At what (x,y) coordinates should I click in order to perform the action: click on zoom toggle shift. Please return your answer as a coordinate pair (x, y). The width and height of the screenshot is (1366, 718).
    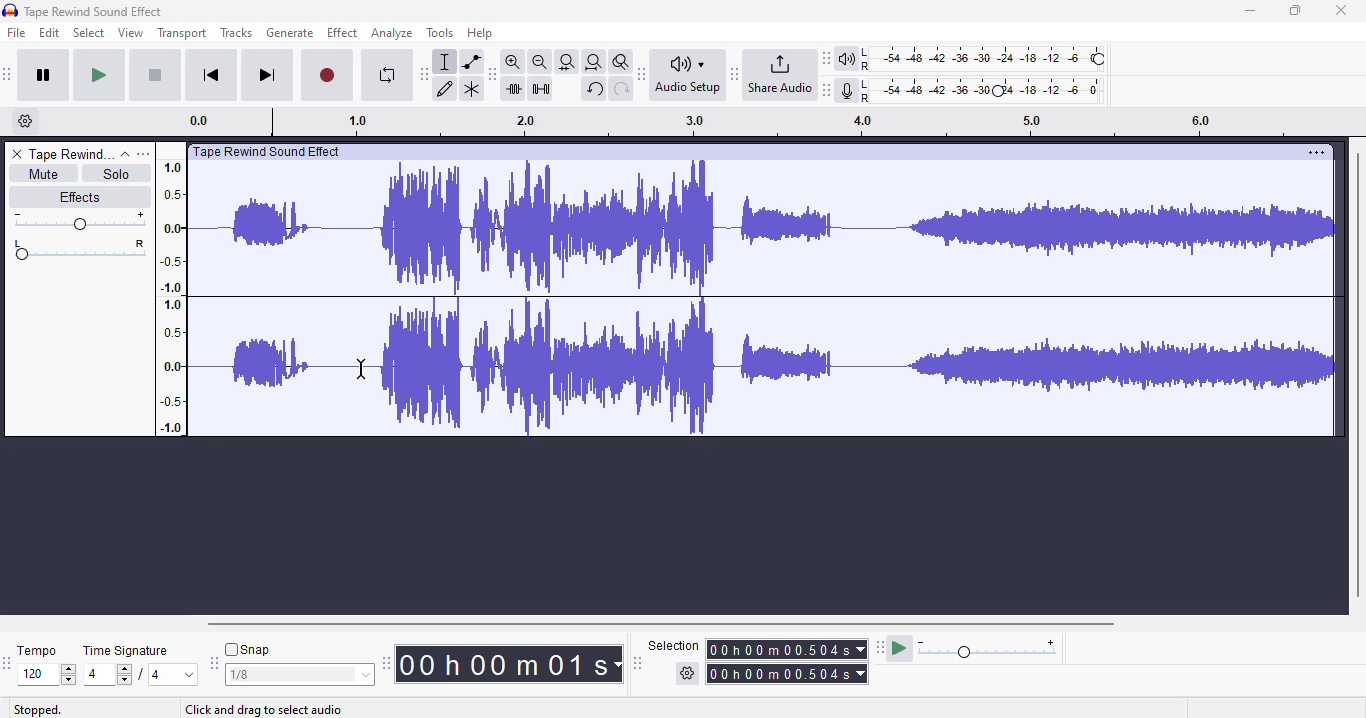
    Looking at the image, I should click on (622, 62).